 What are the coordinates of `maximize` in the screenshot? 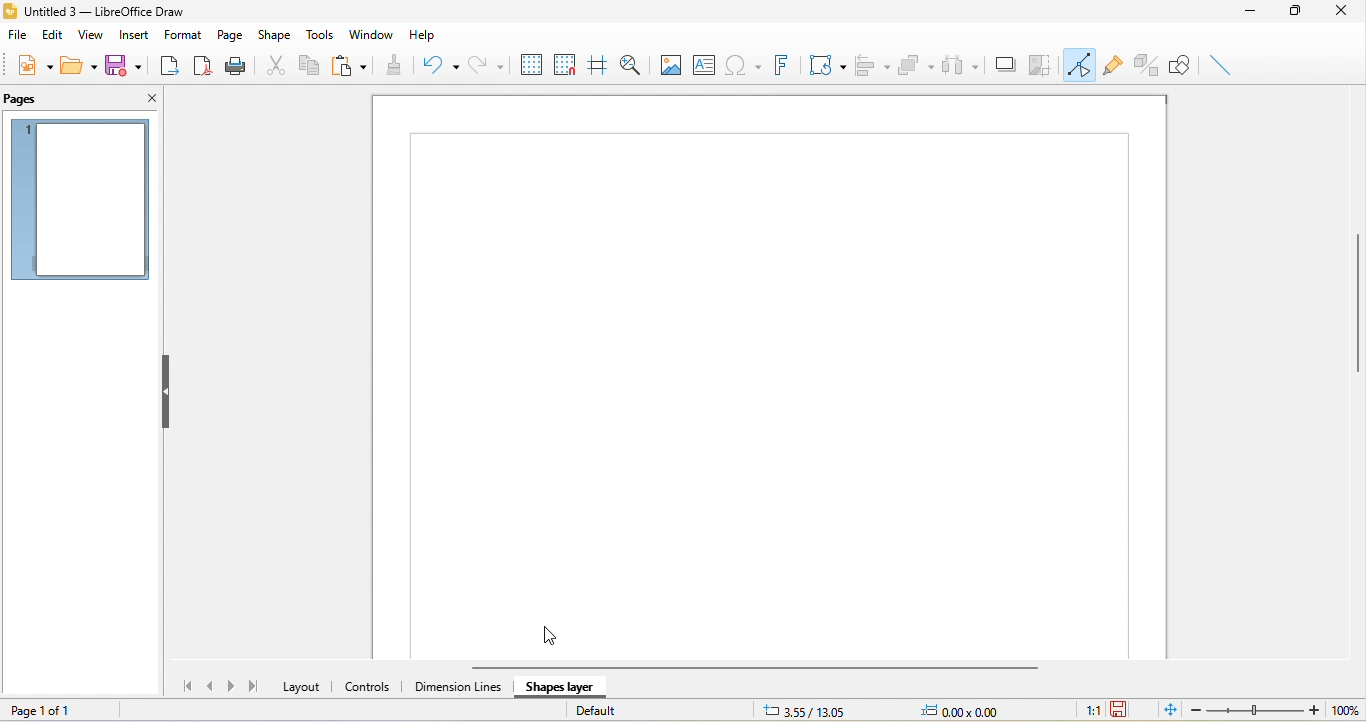 It's located at (1298, 11).